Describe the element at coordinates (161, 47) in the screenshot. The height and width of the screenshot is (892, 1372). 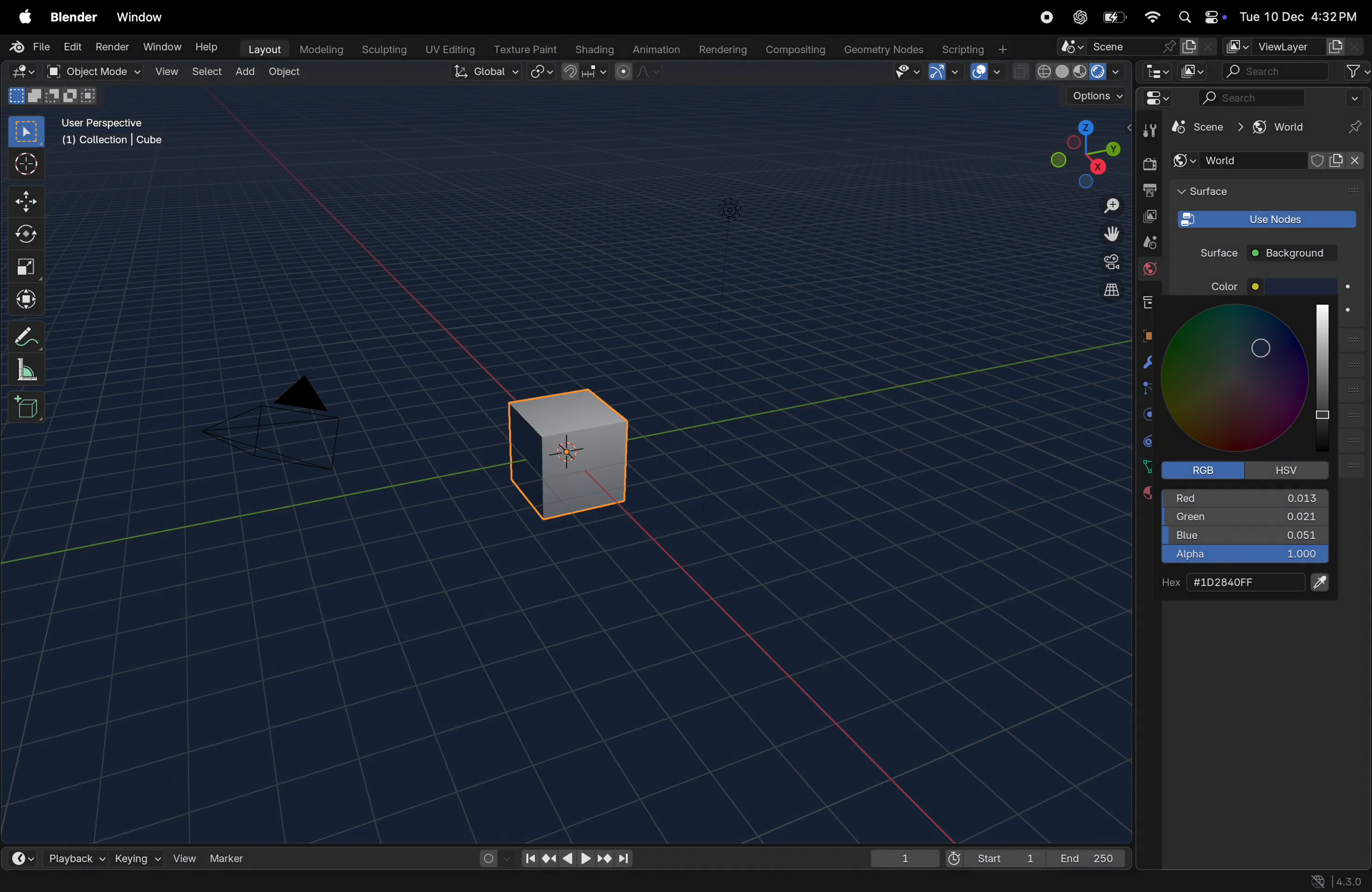
I see `Window` at that location.